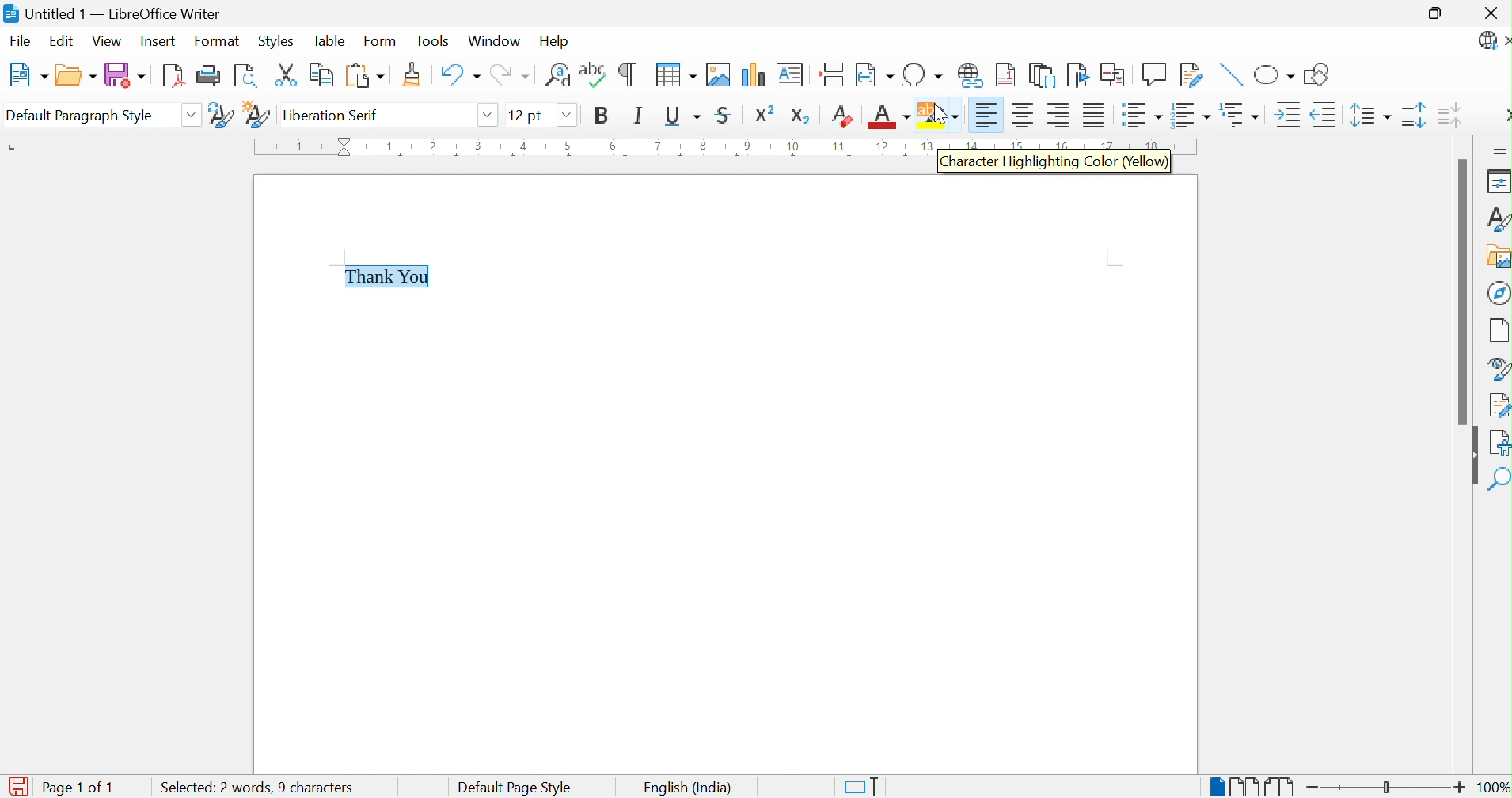 Image resolution: width=1512 pixels, height=798 pixels. What do you see at coordinates (1495, 255) in the screenshot?
I see `Gallery` at bounding box center [1495, 255].